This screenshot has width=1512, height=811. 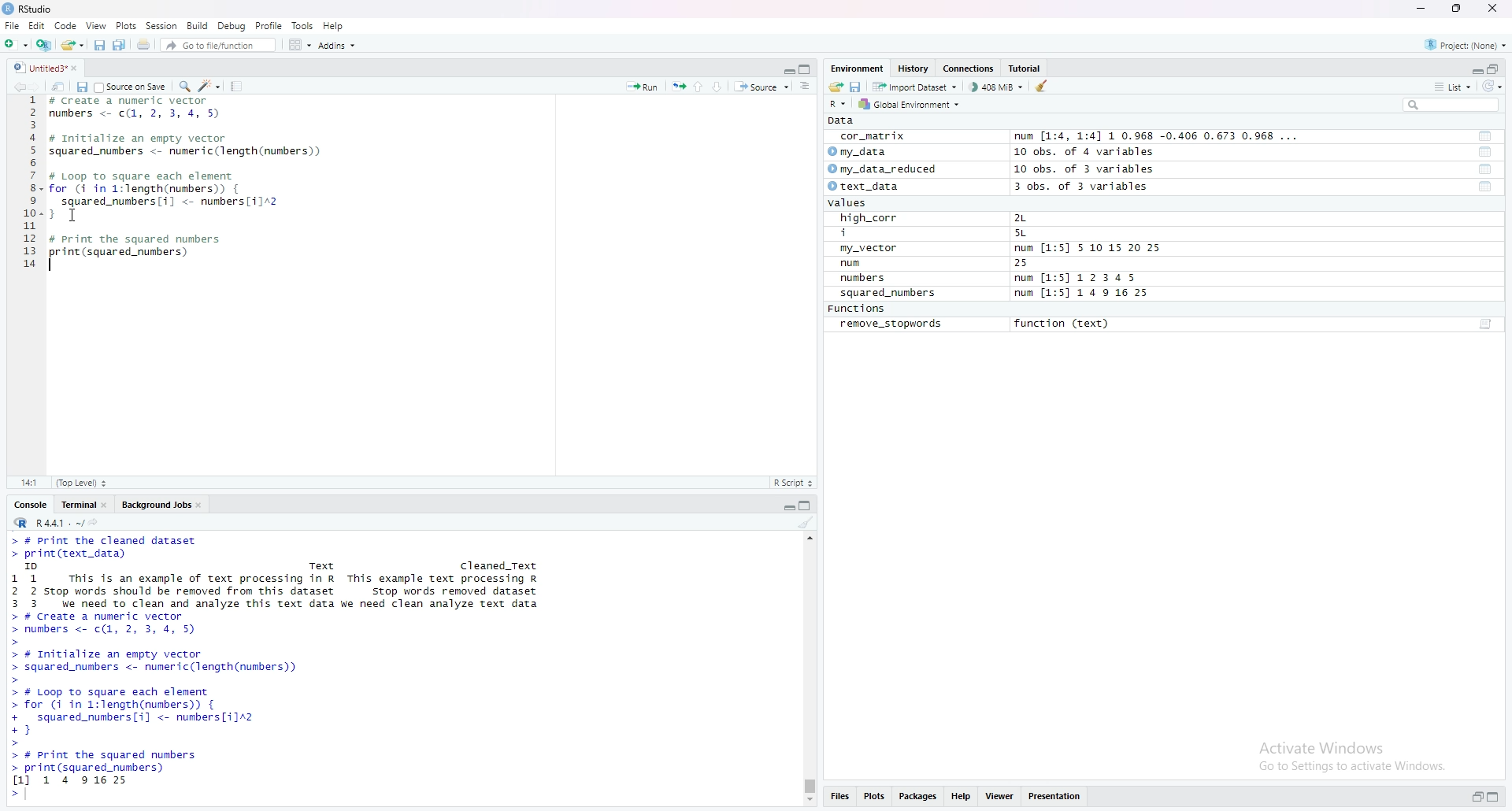 I want to click on cor_matrix, so click(x=871, y=137).